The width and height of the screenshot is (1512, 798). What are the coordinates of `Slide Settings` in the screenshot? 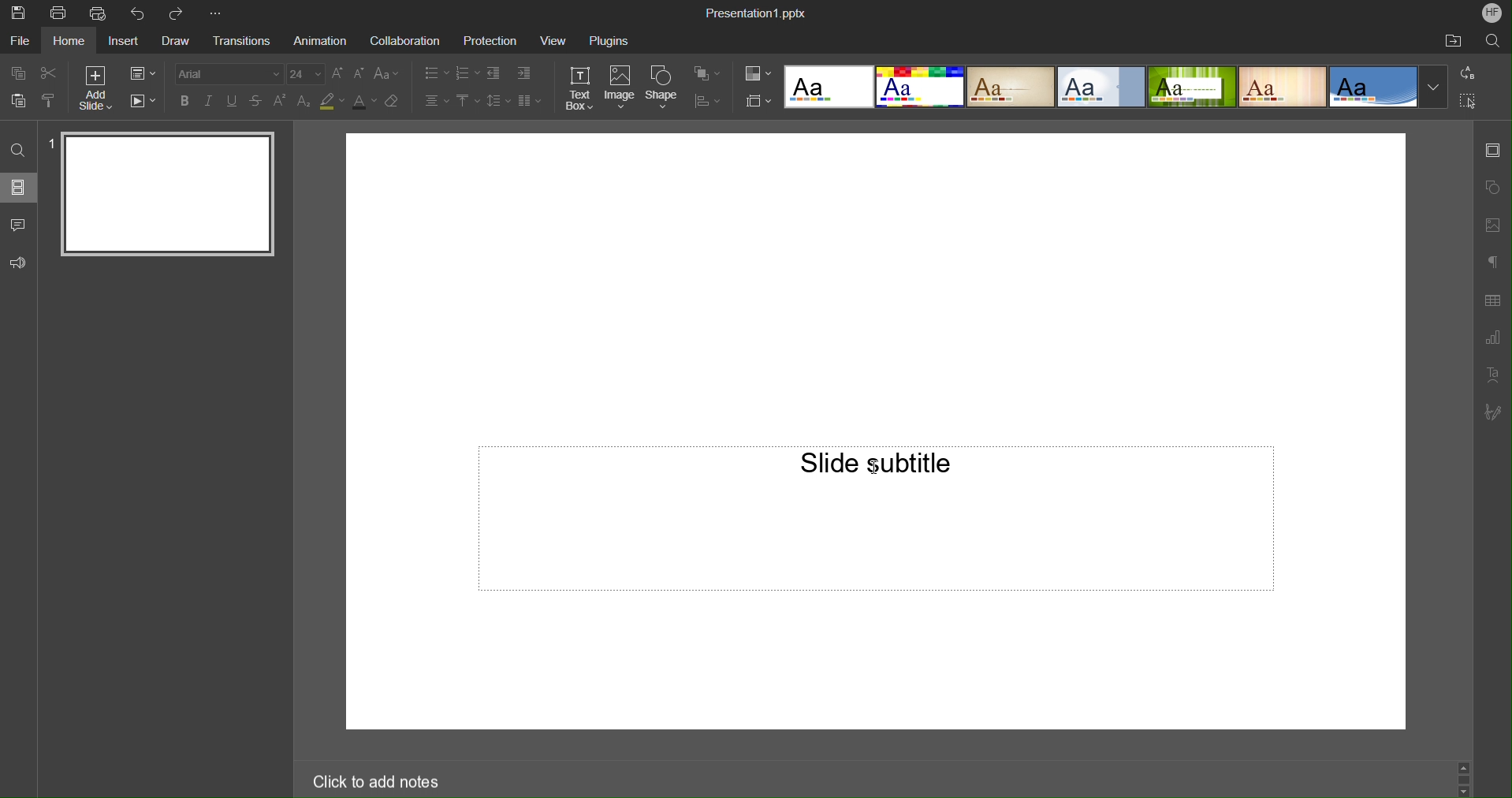 It's located at (1492, 151).